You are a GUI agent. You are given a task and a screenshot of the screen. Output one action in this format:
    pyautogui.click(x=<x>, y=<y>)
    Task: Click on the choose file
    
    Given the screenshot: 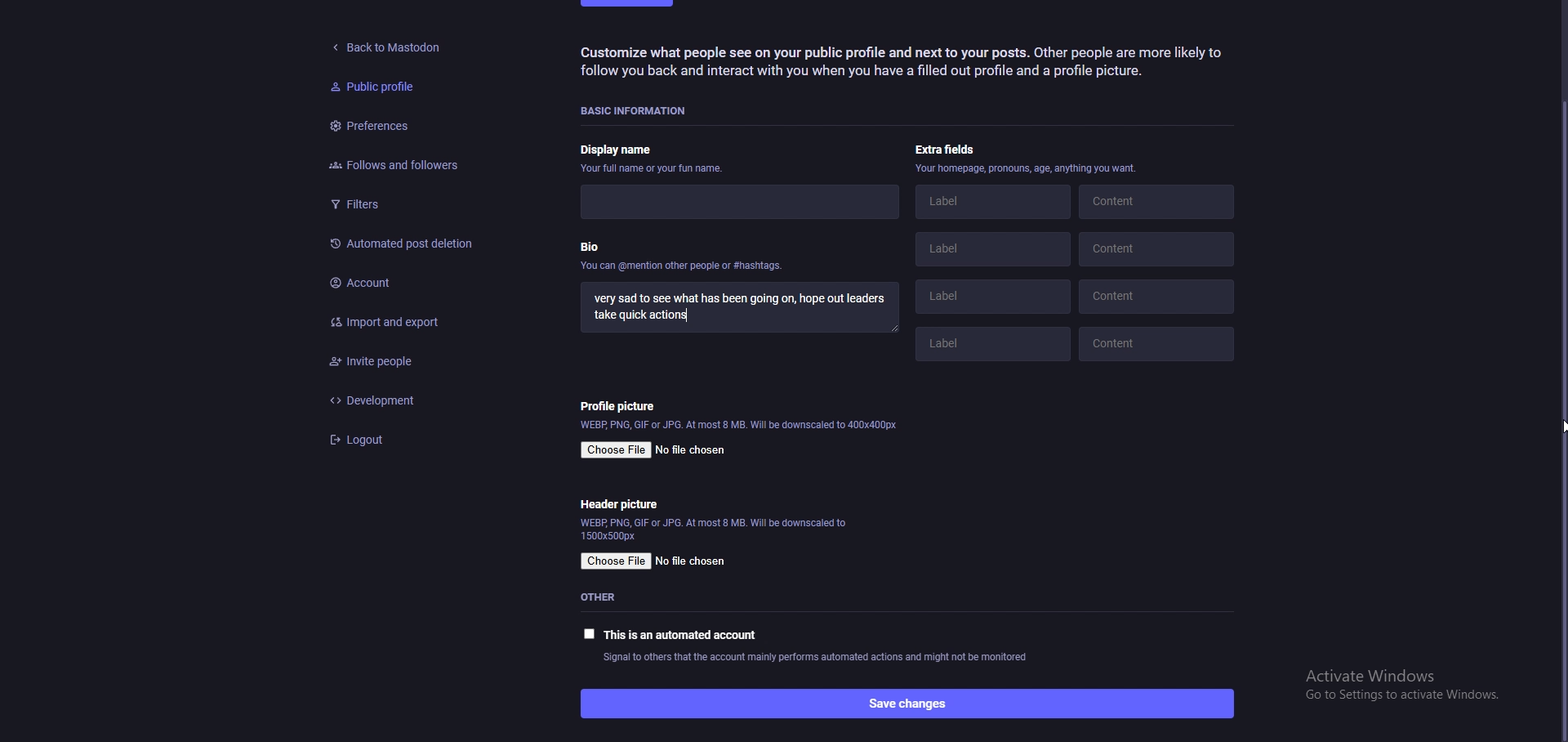 What is the action you would take?
    pyautogui.click(x=616, y=450)
    